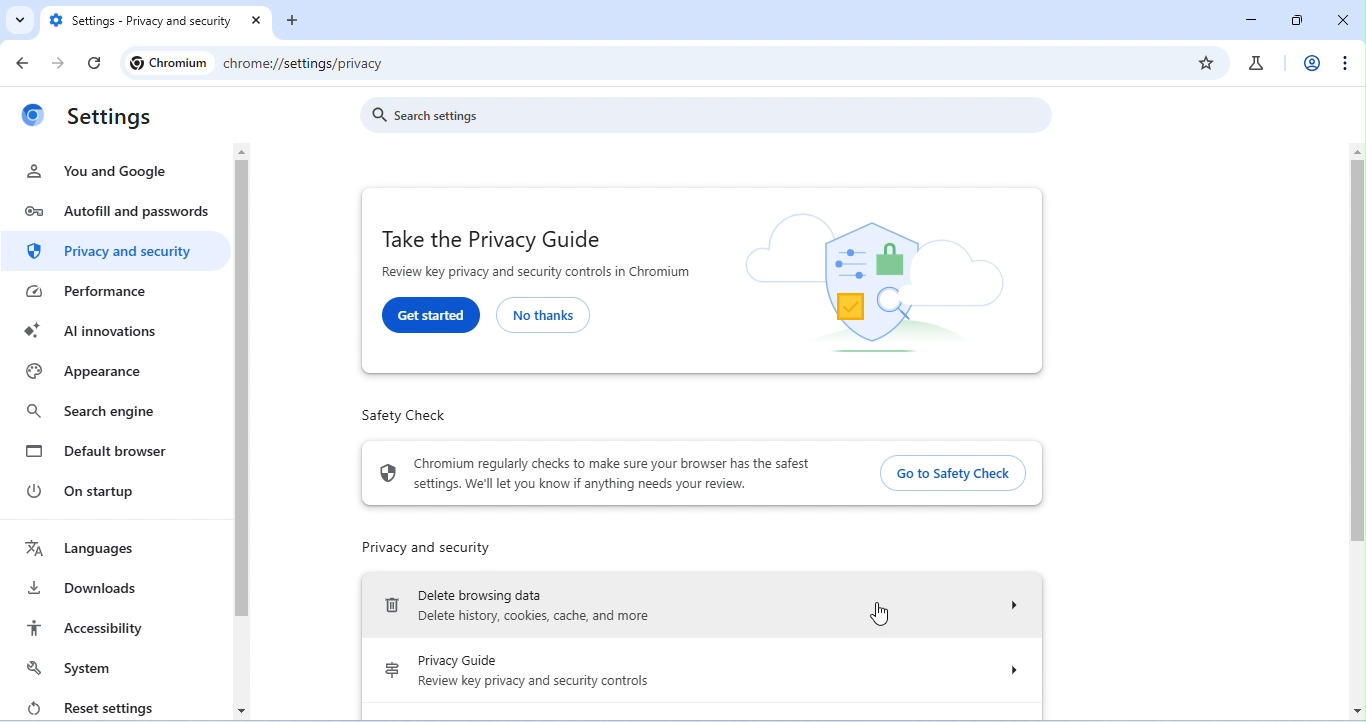 The width and height of the screenshot is (1366, 722). I want to click on system, so click(79, 668).